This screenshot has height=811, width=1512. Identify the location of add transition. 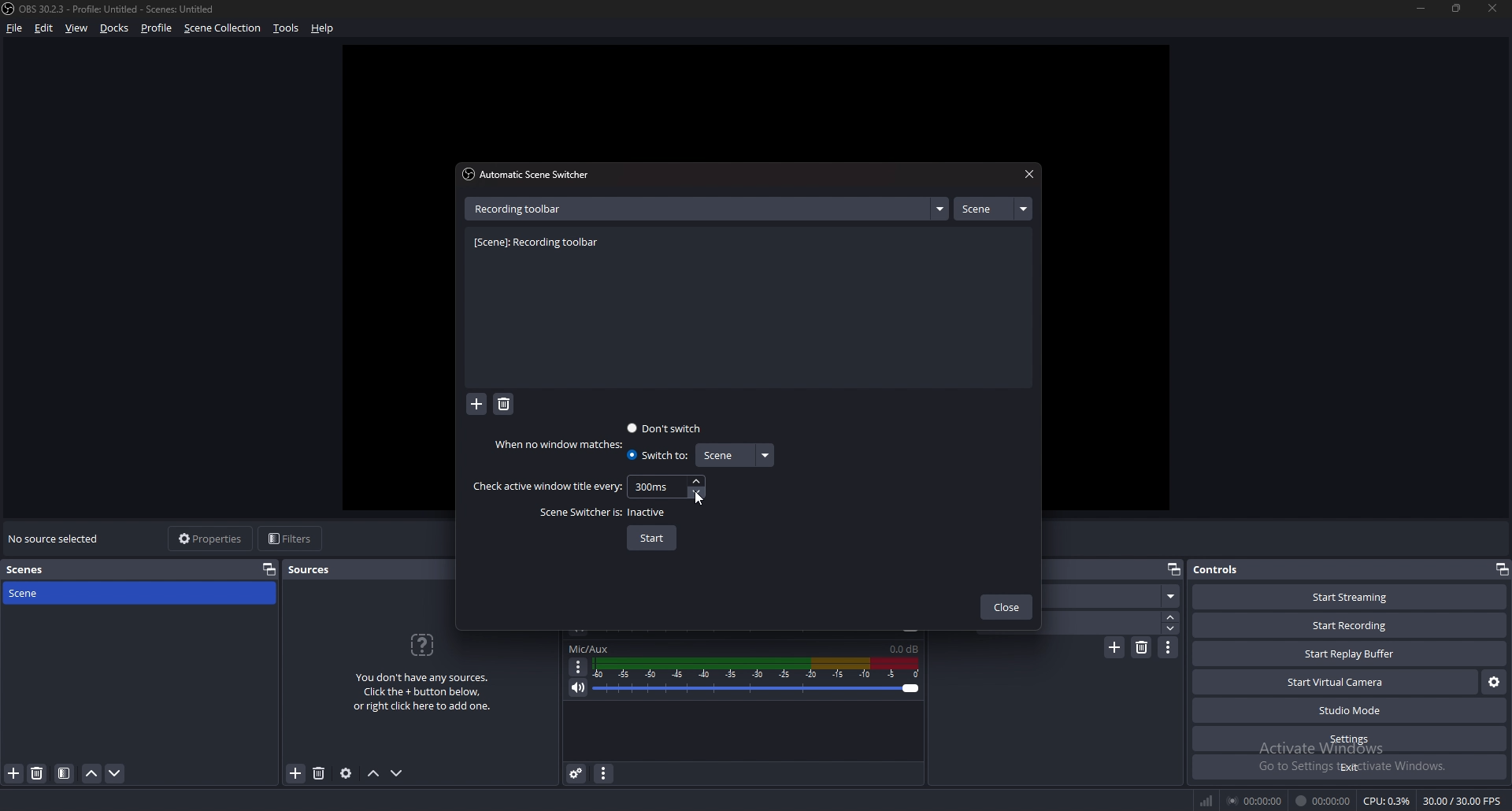
(1114, 647).